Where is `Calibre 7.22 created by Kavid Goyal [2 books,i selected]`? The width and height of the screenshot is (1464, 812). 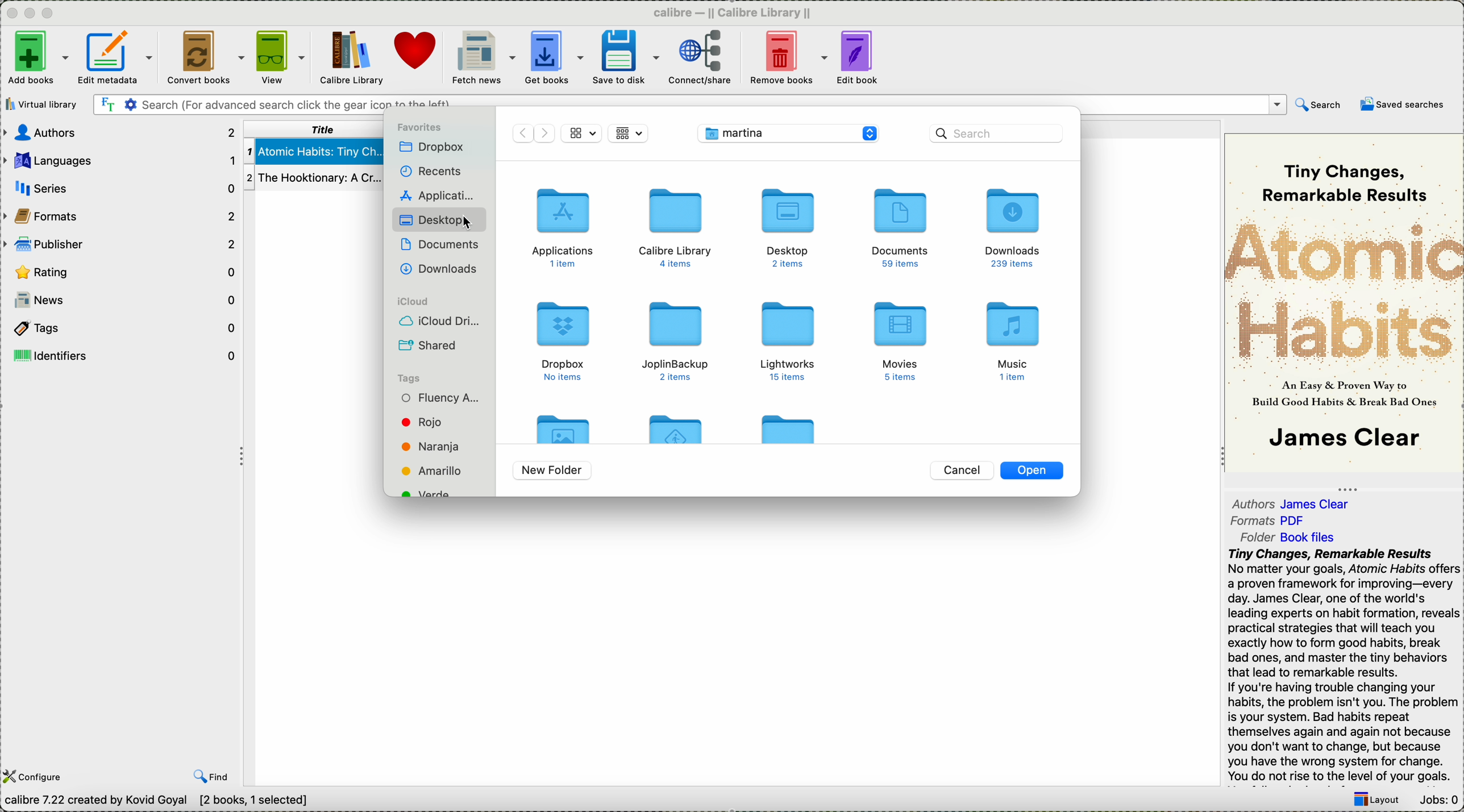
Calibre 7.22 created by Kavid Goyal [2 books,i selected] is located at coordinates (157, 801).